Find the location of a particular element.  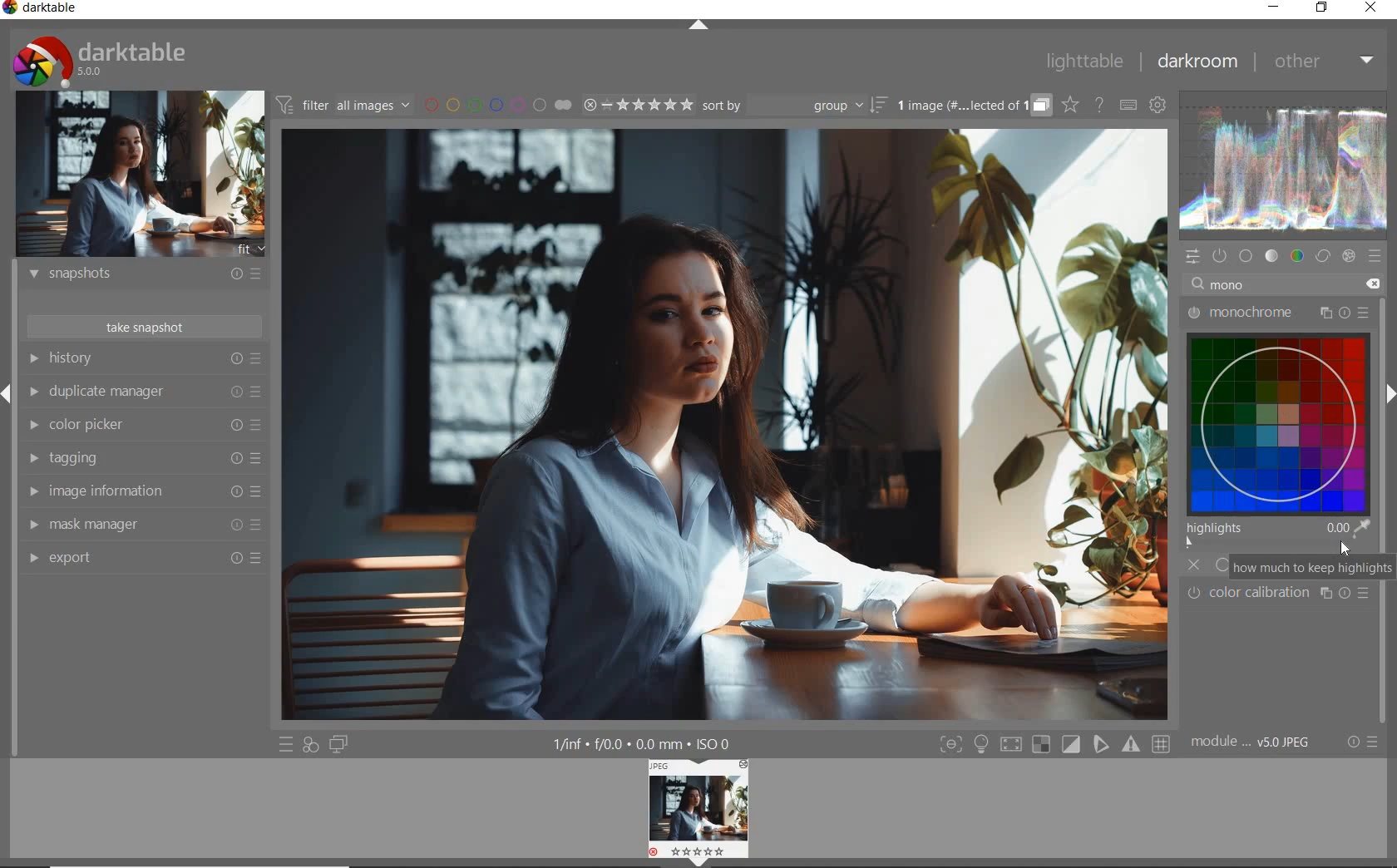

enable online help is located at coordinates (1099, 106).